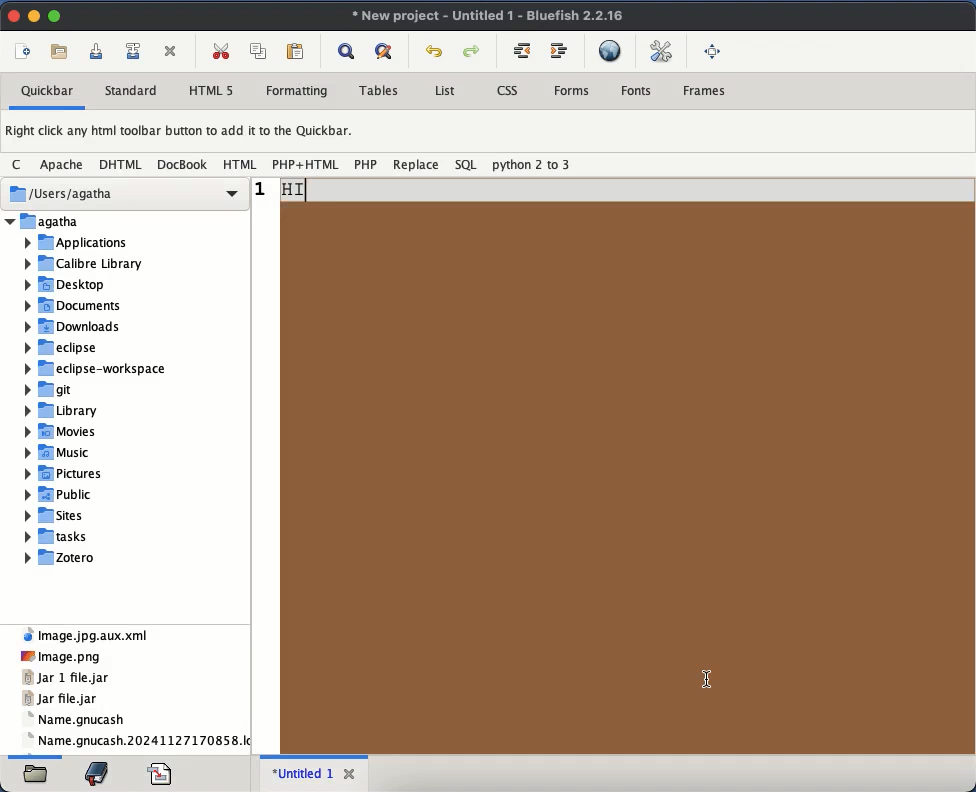 The height and width of the screenshot is (792, 976). I want to click on list, so click(445, 90).